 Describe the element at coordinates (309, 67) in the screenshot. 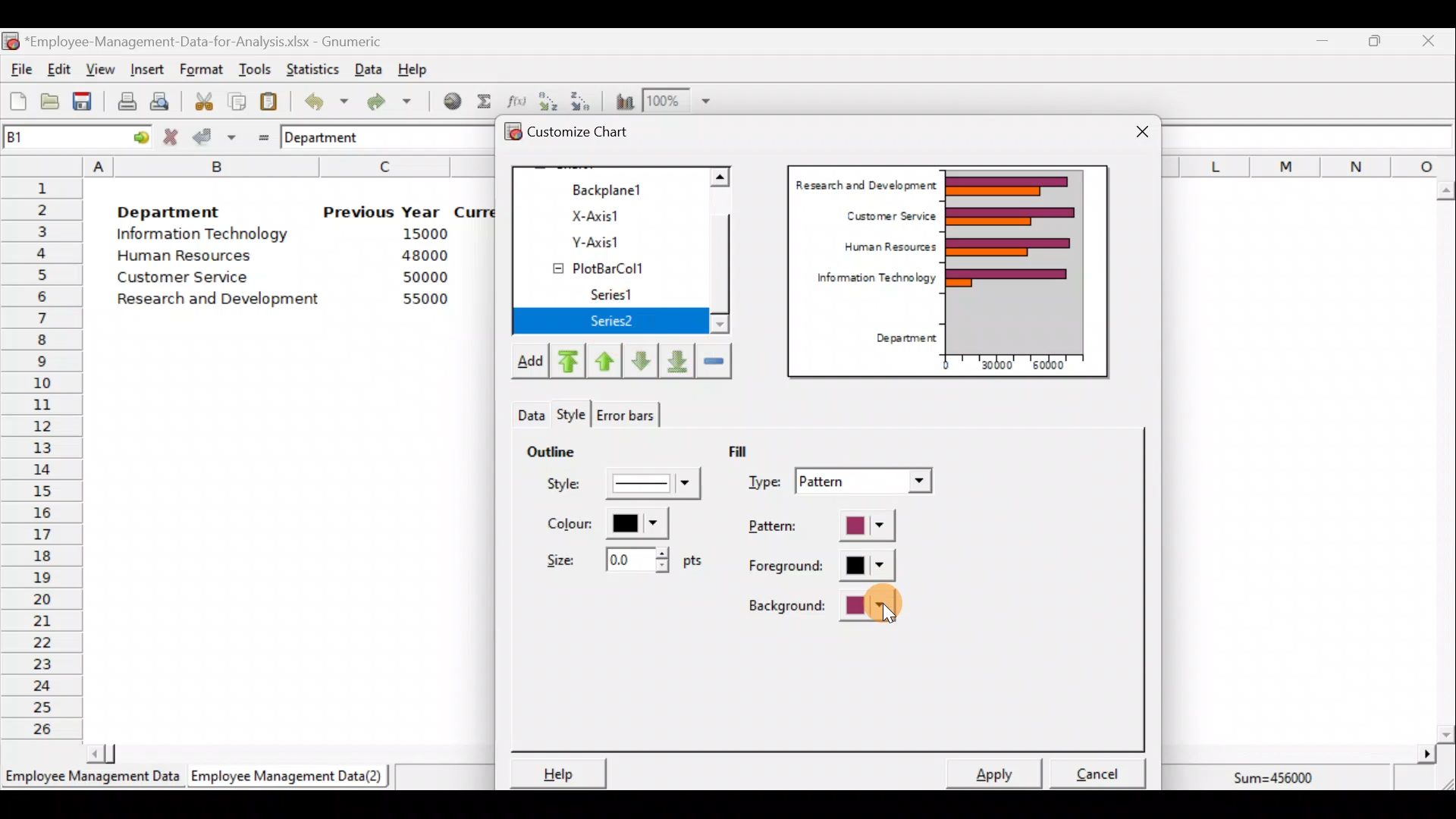

I see `Statistics` at that location.